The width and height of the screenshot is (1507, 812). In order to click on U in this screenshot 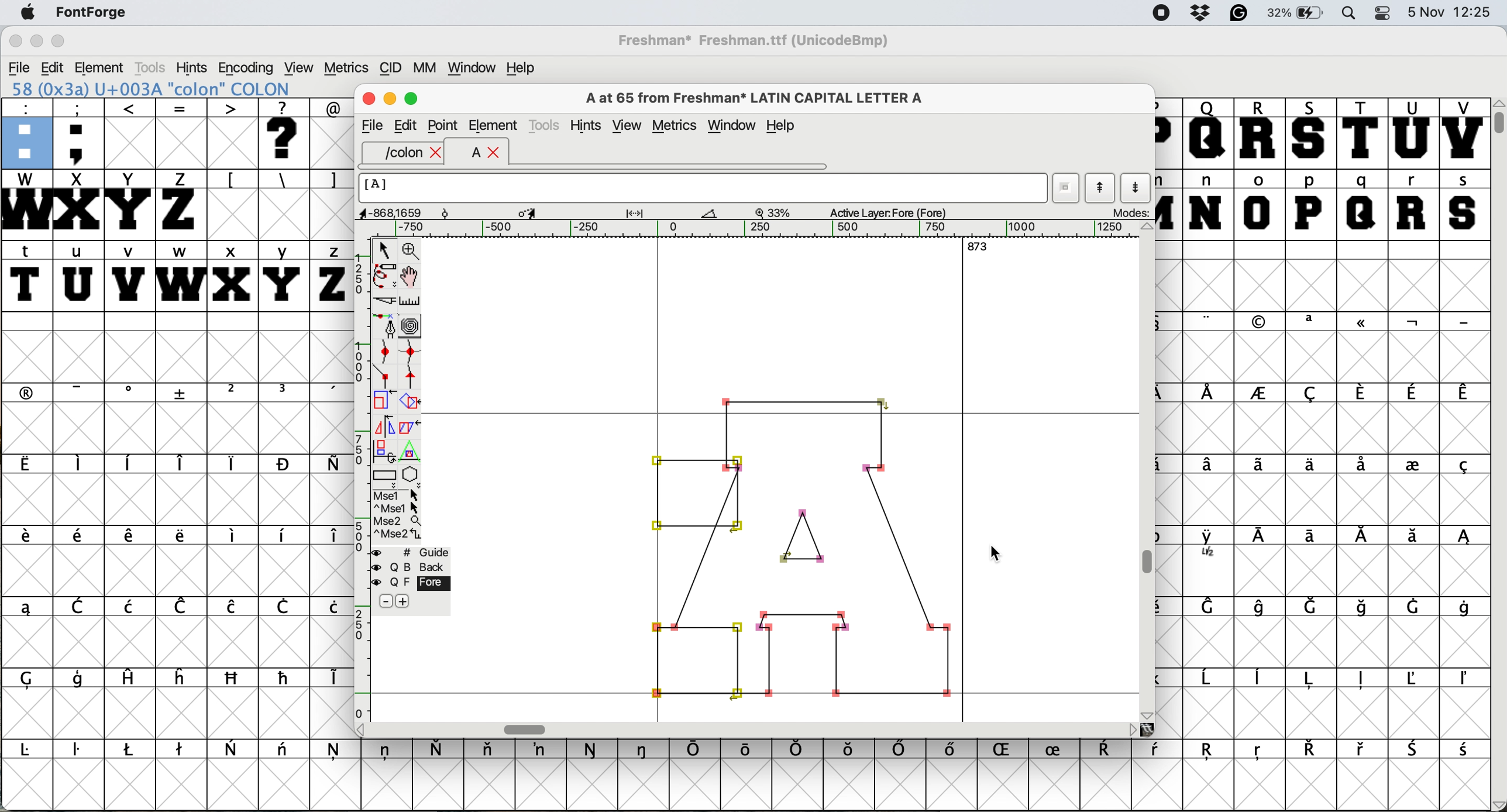, I will do `click(1412, 133)`.